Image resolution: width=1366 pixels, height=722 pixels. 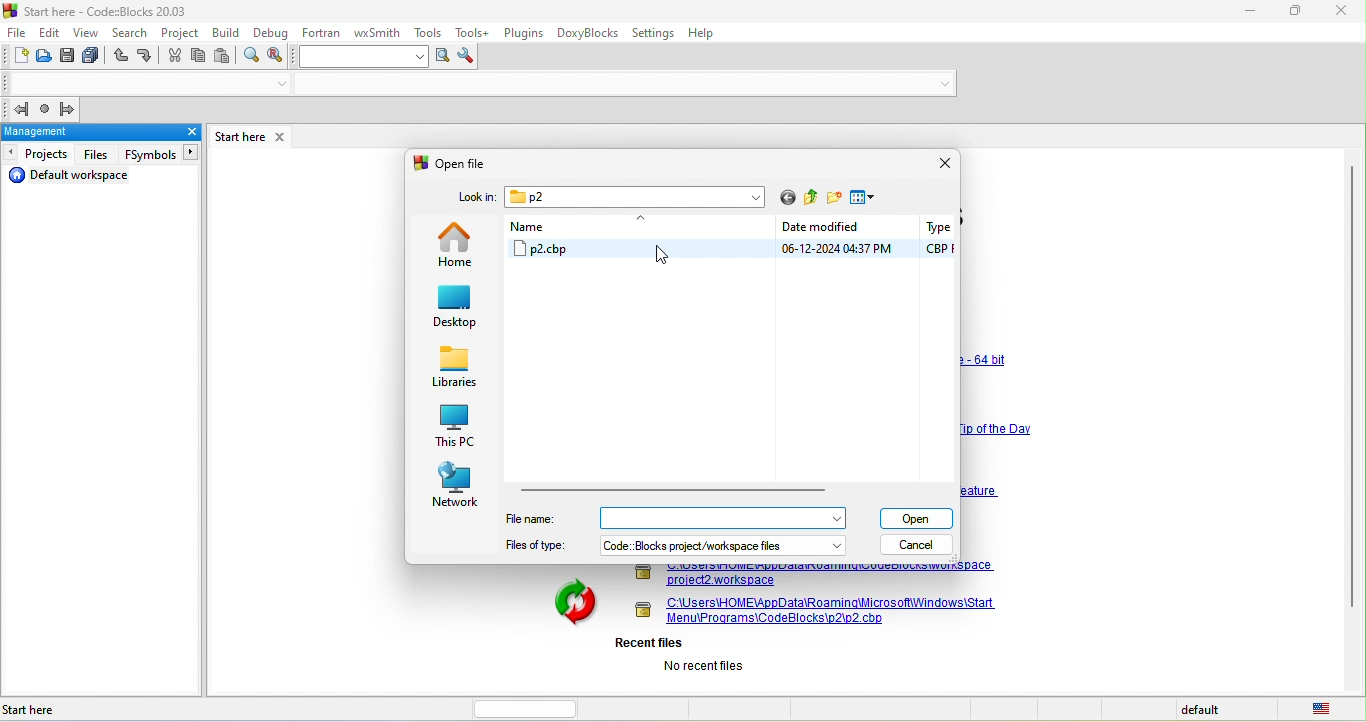 I want to click on , so click(x=938, y=237).